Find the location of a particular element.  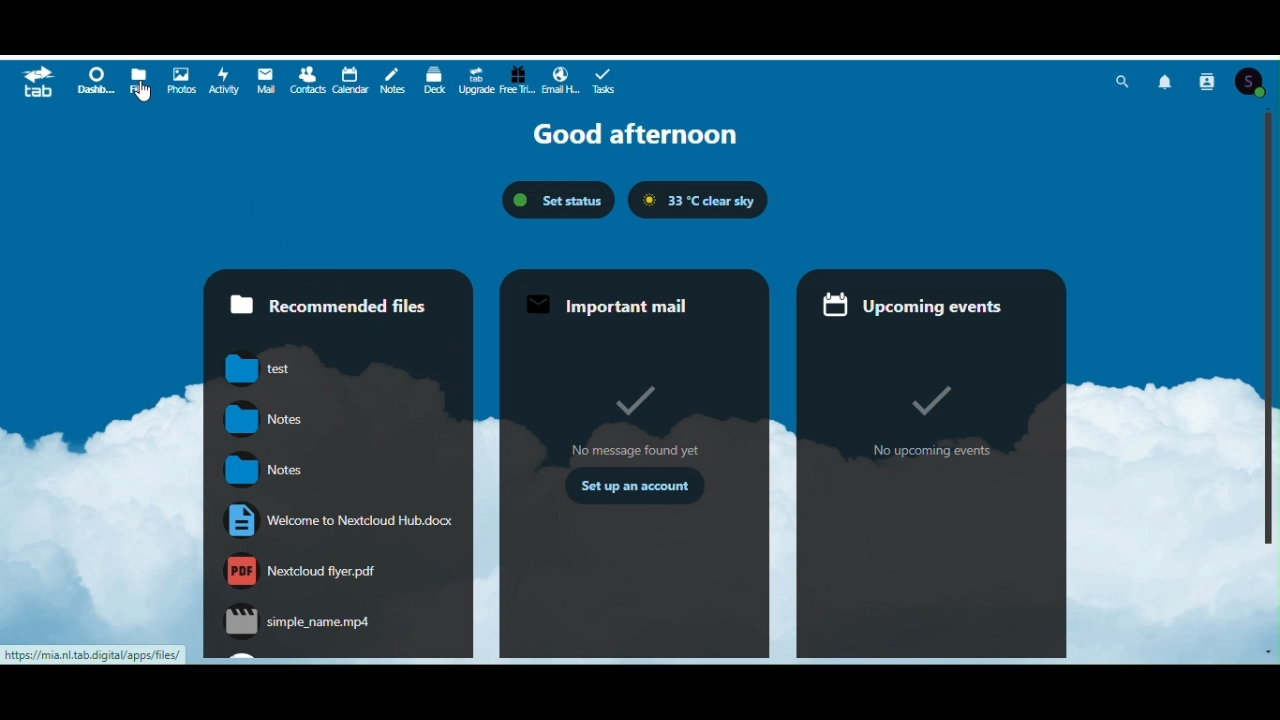

Photos is located at coordinates (182, 77).